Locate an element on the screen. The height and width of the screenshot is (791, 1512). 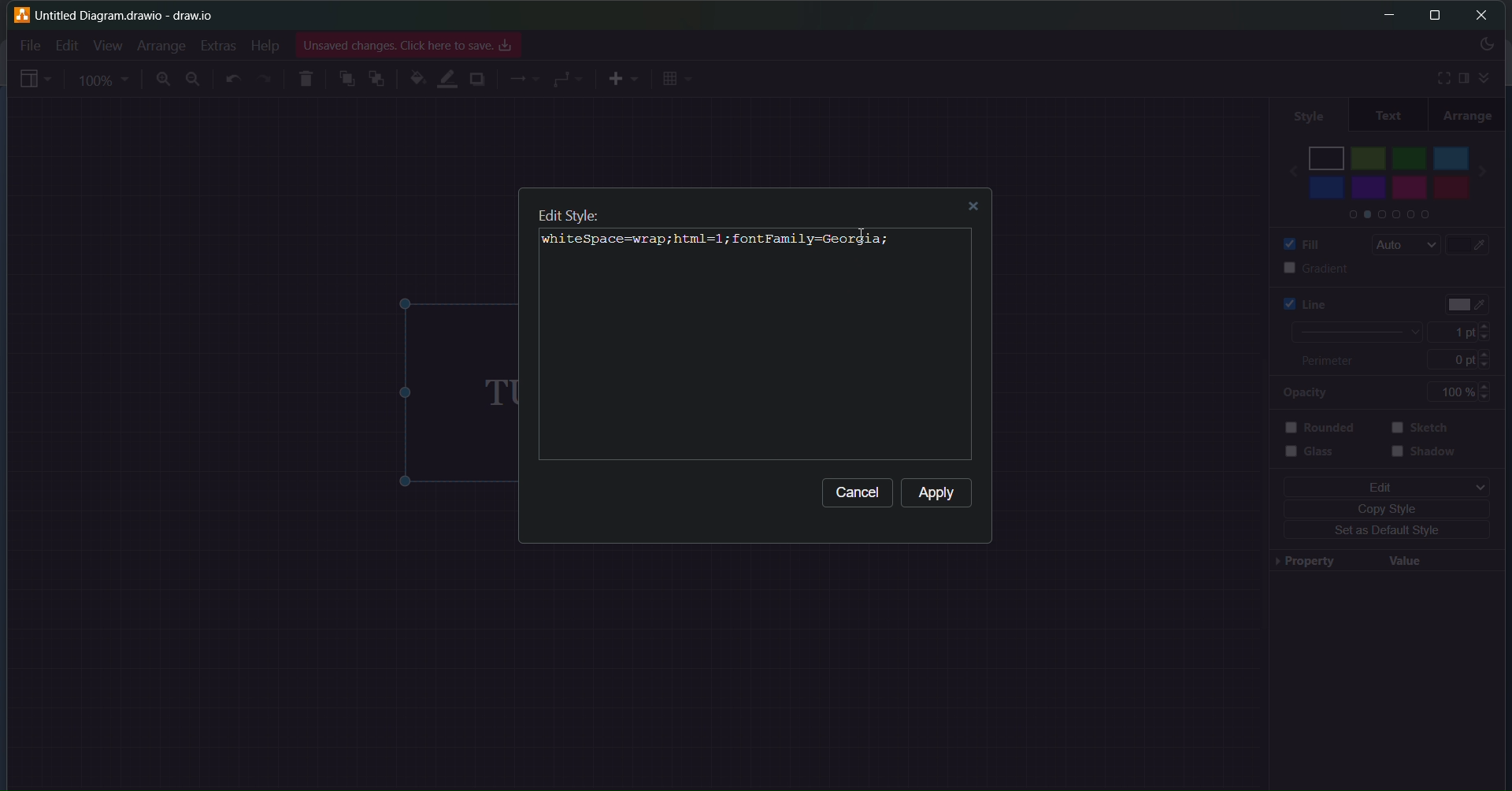
line is located at coordinates (1296, 303).